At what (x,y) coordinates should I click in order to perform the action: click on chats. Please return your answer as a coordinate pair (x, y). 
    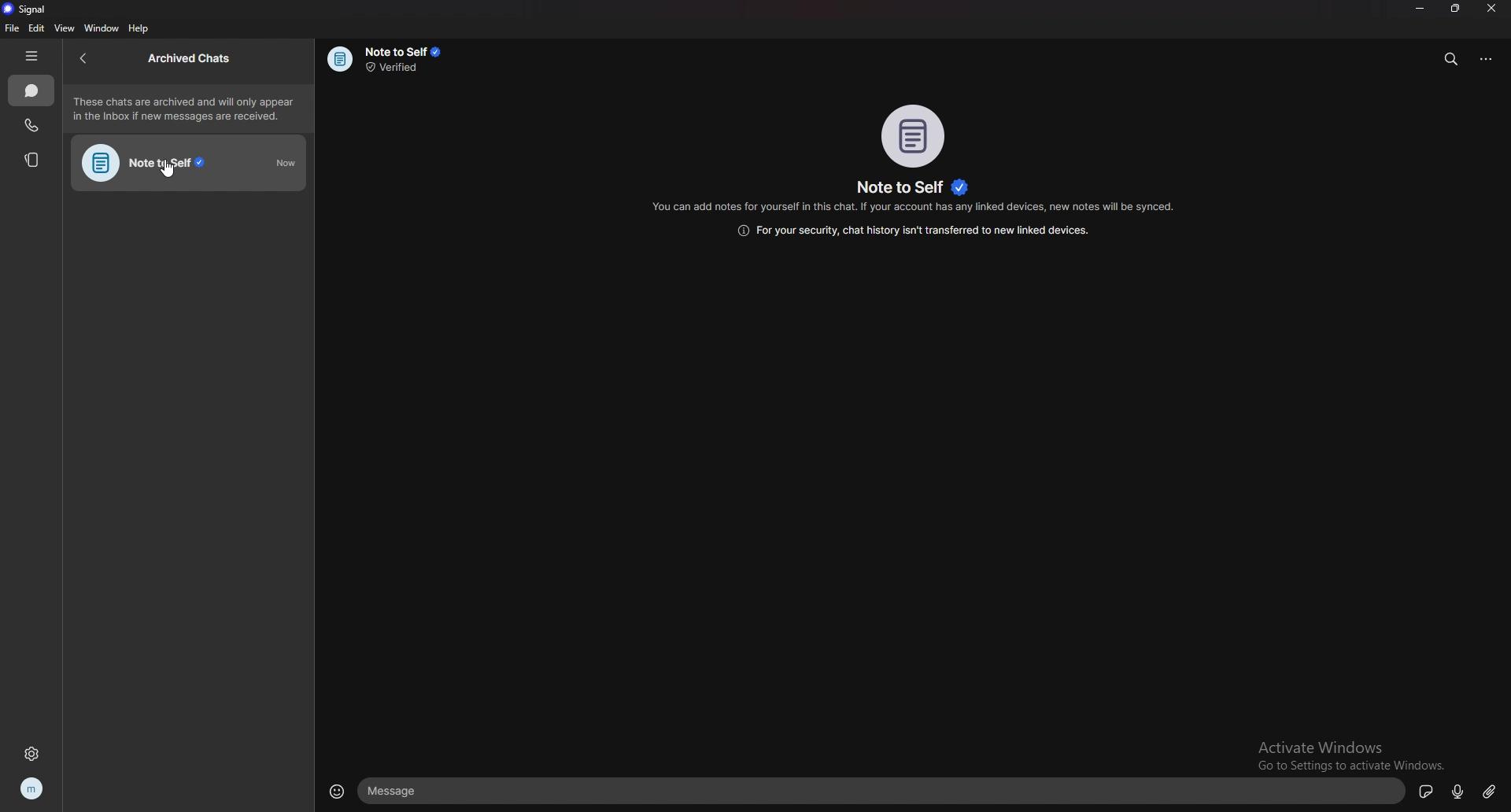
    Looking at the image, I should click on (31, 90).